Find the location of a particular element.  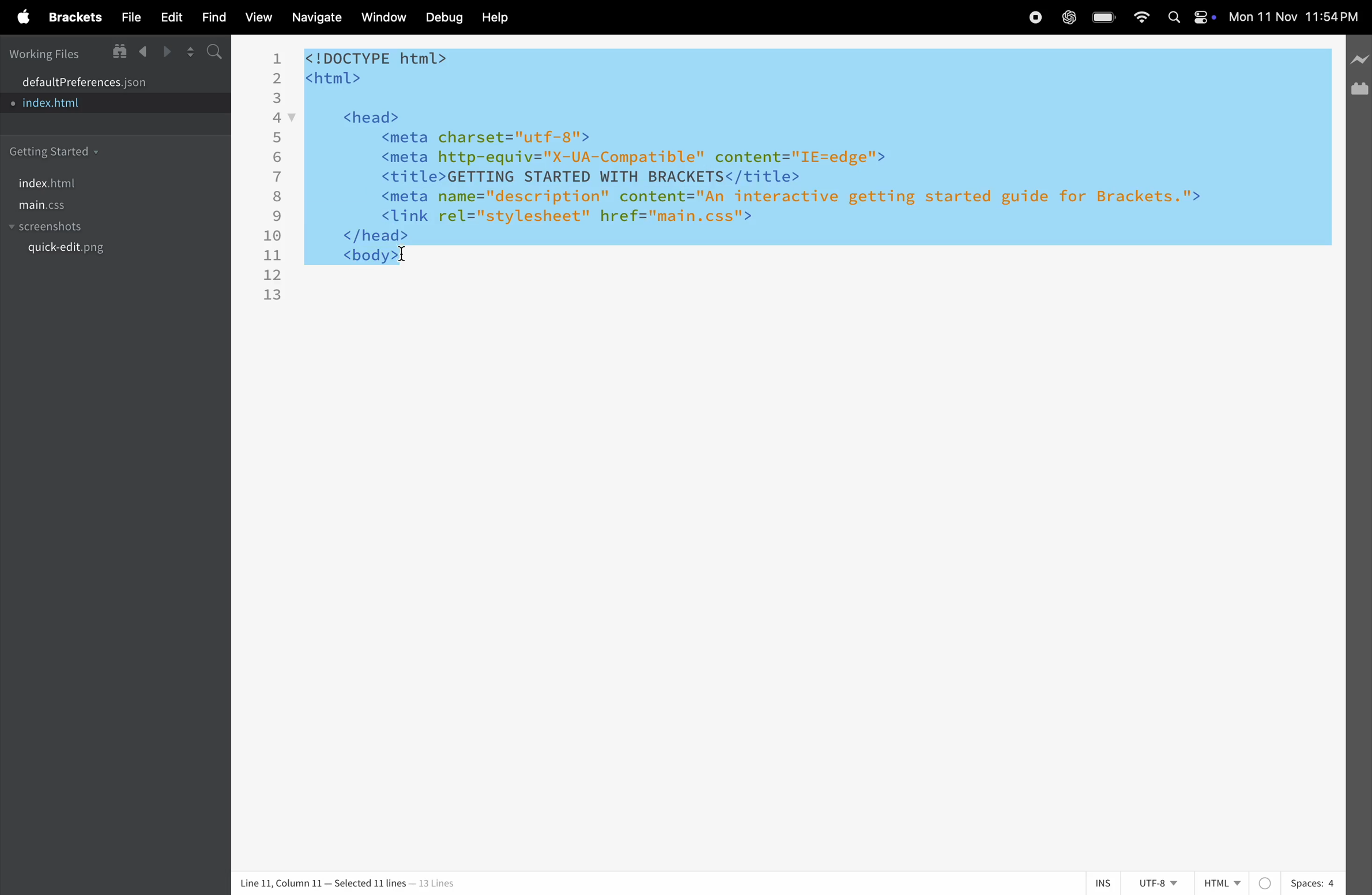

chatgpt is located at coordinates (1069, 17).